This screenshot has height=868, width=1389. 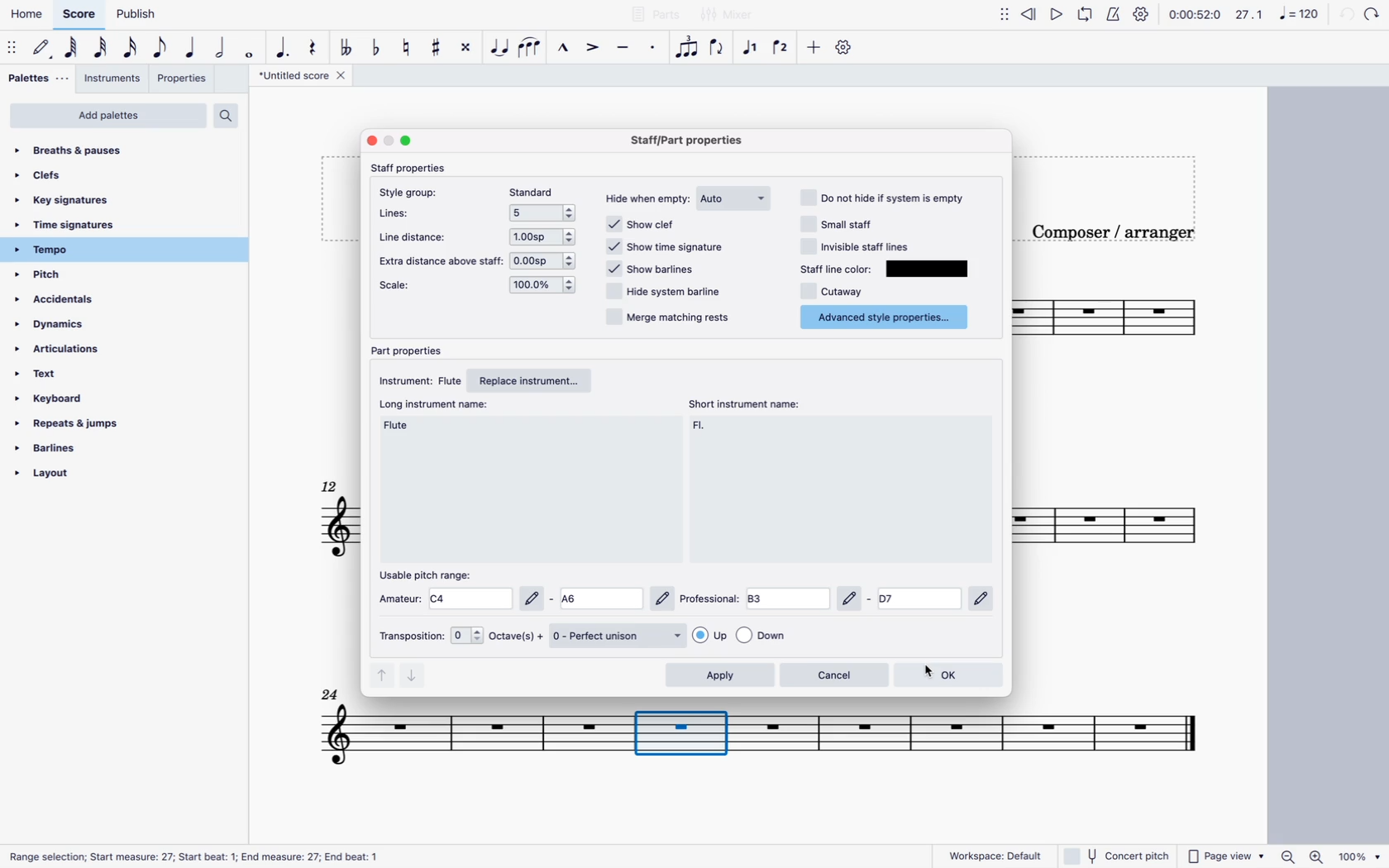 I want to click on loop playback, so click(x=1086, y=13).